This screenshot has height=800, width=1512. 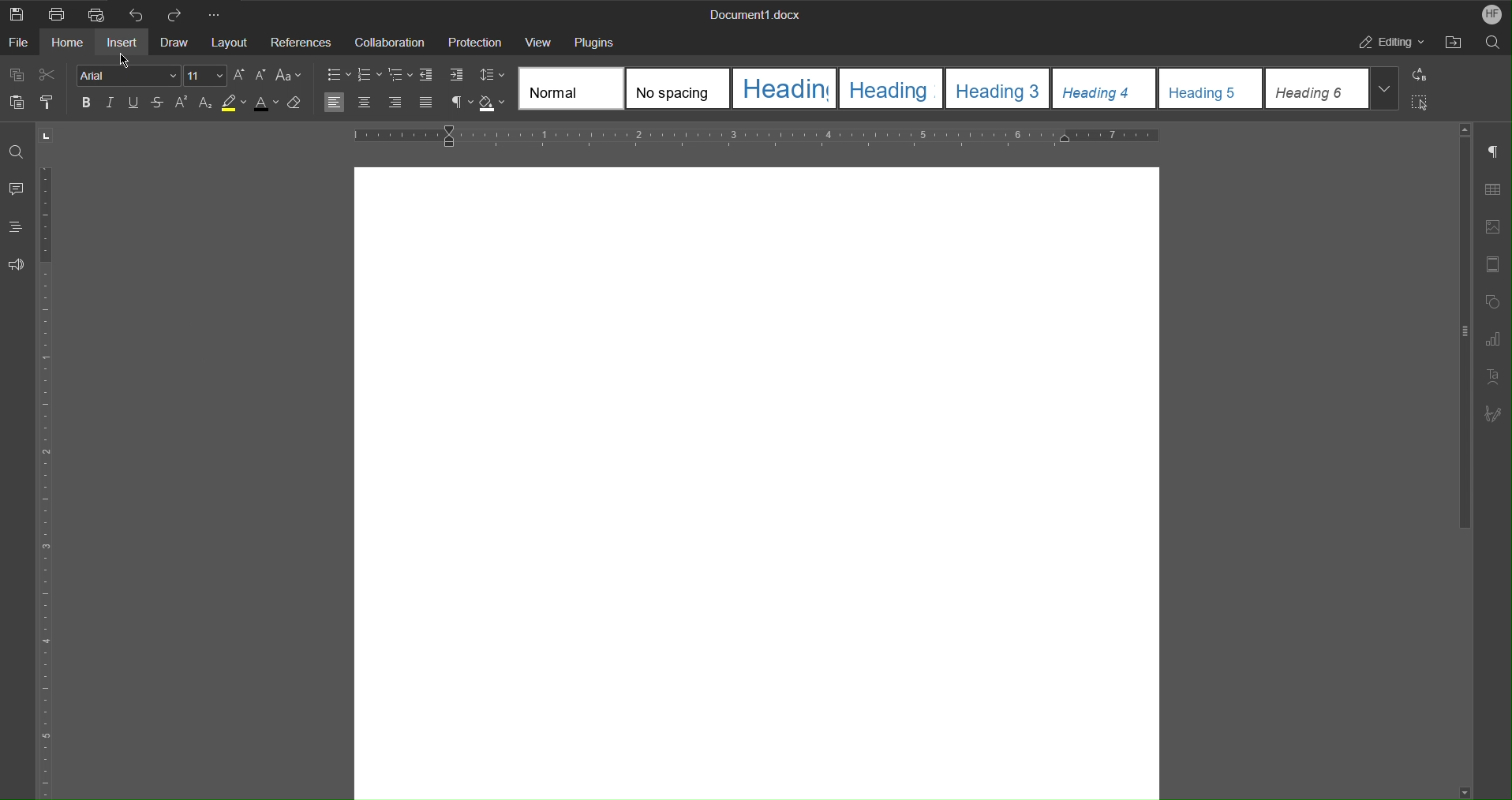 What do you see at coordinates (337, 73) in the screenshot?
I see `Bullet List` at bounding box center [337, 73].